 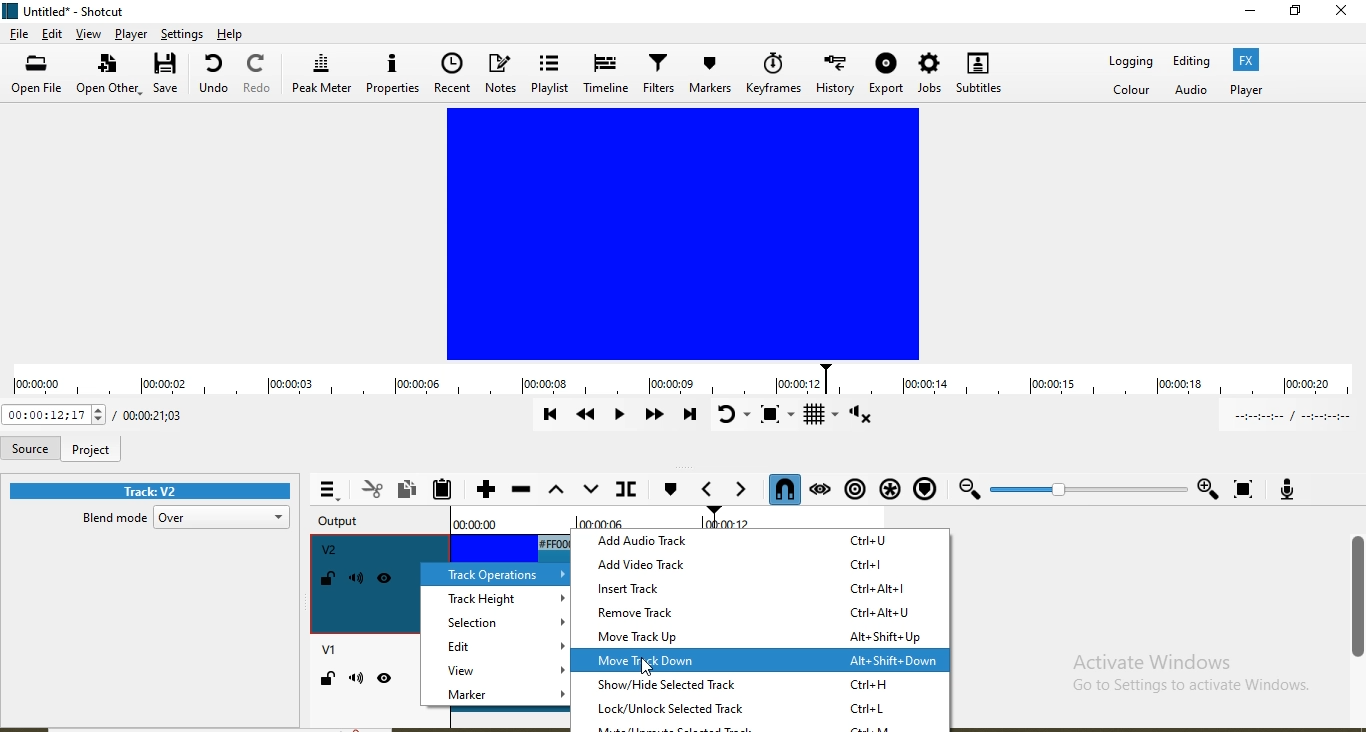 I want to click on show/hide selected track, so click(x=764, y=686).